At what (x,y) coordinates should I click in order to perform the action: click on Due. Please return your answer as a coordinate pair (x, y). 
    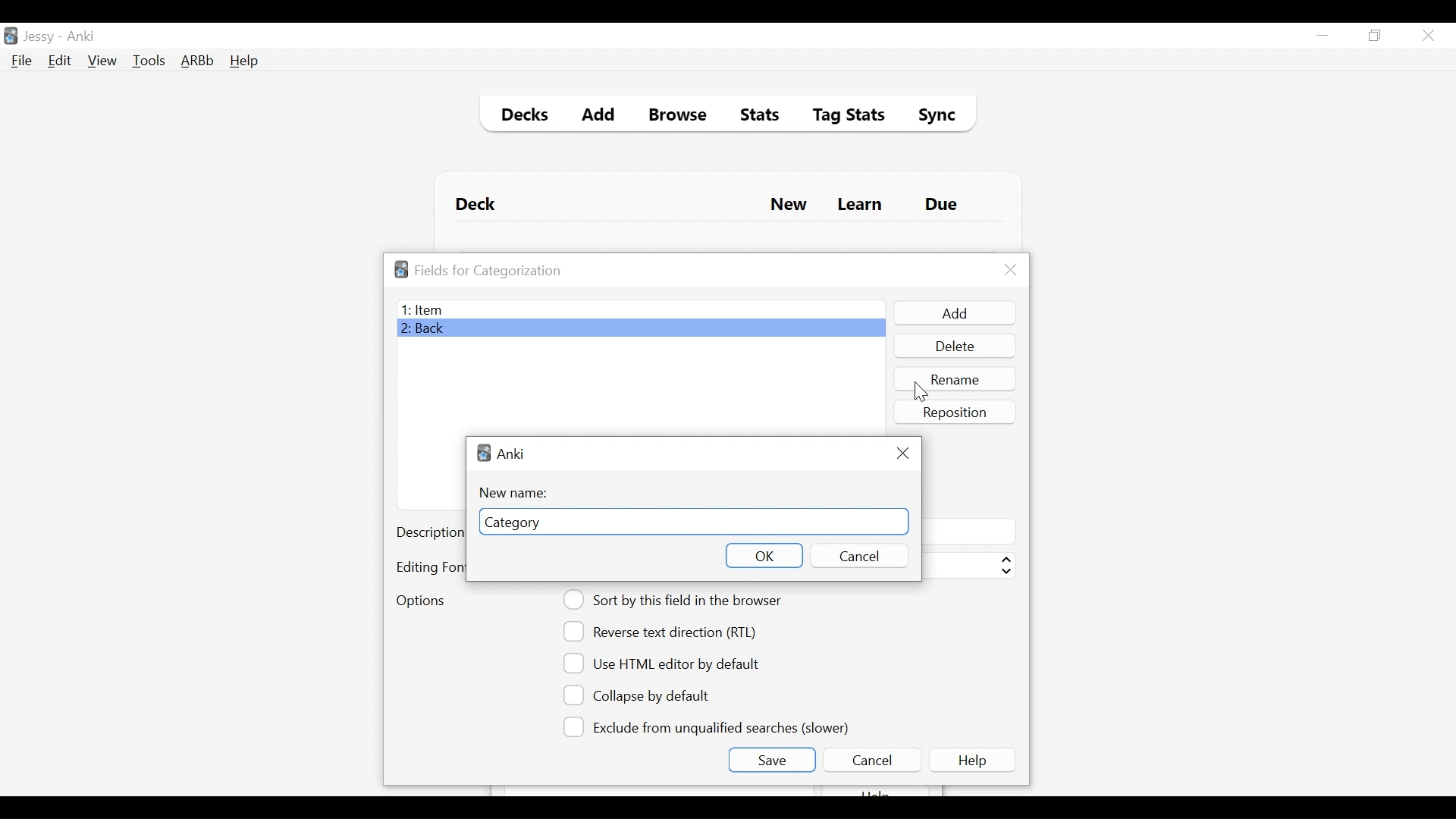
    Looking at the image, I should click on (943, 205).